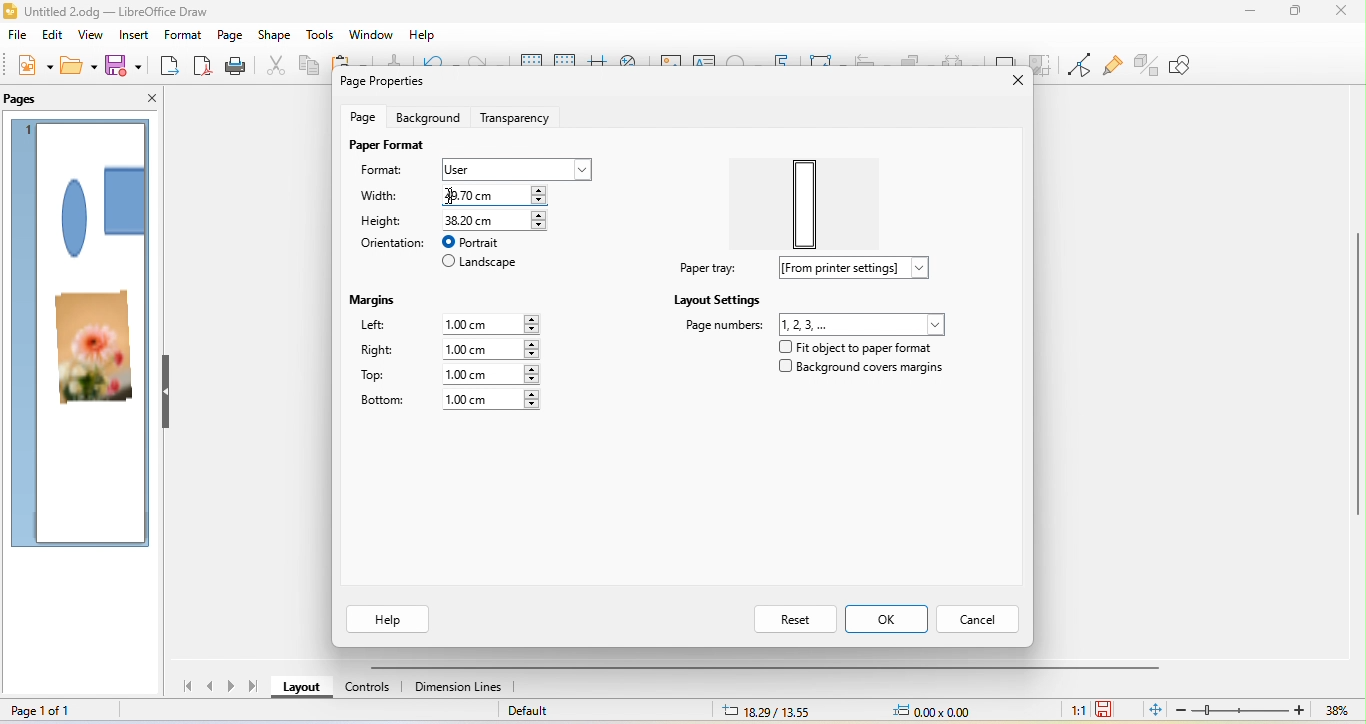 This screenshot has height=724, width=1366. I want to click on show draw function, so click(1192, 67).